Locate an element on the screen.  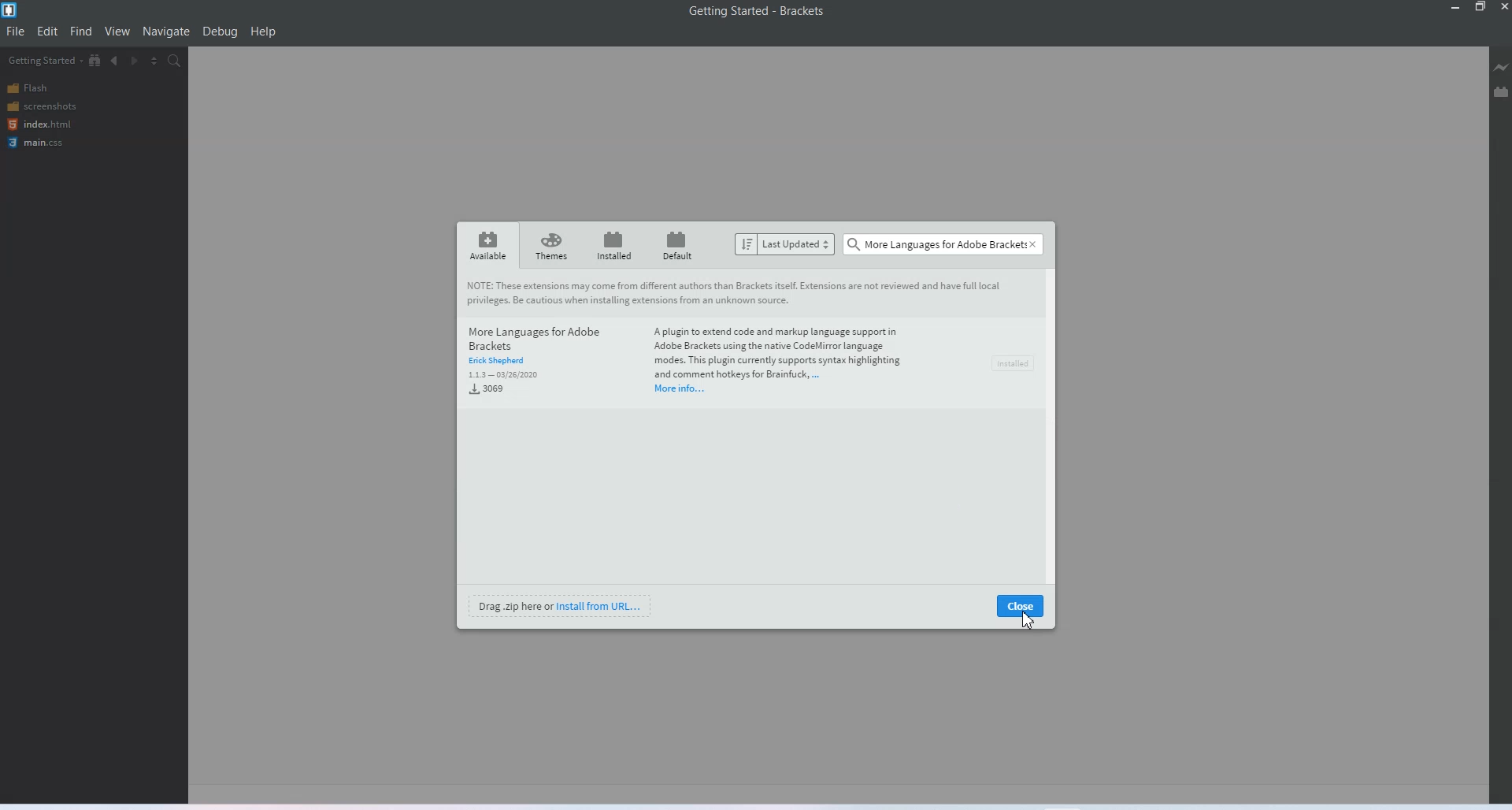
Search bar is located at coordinates (943, 245).